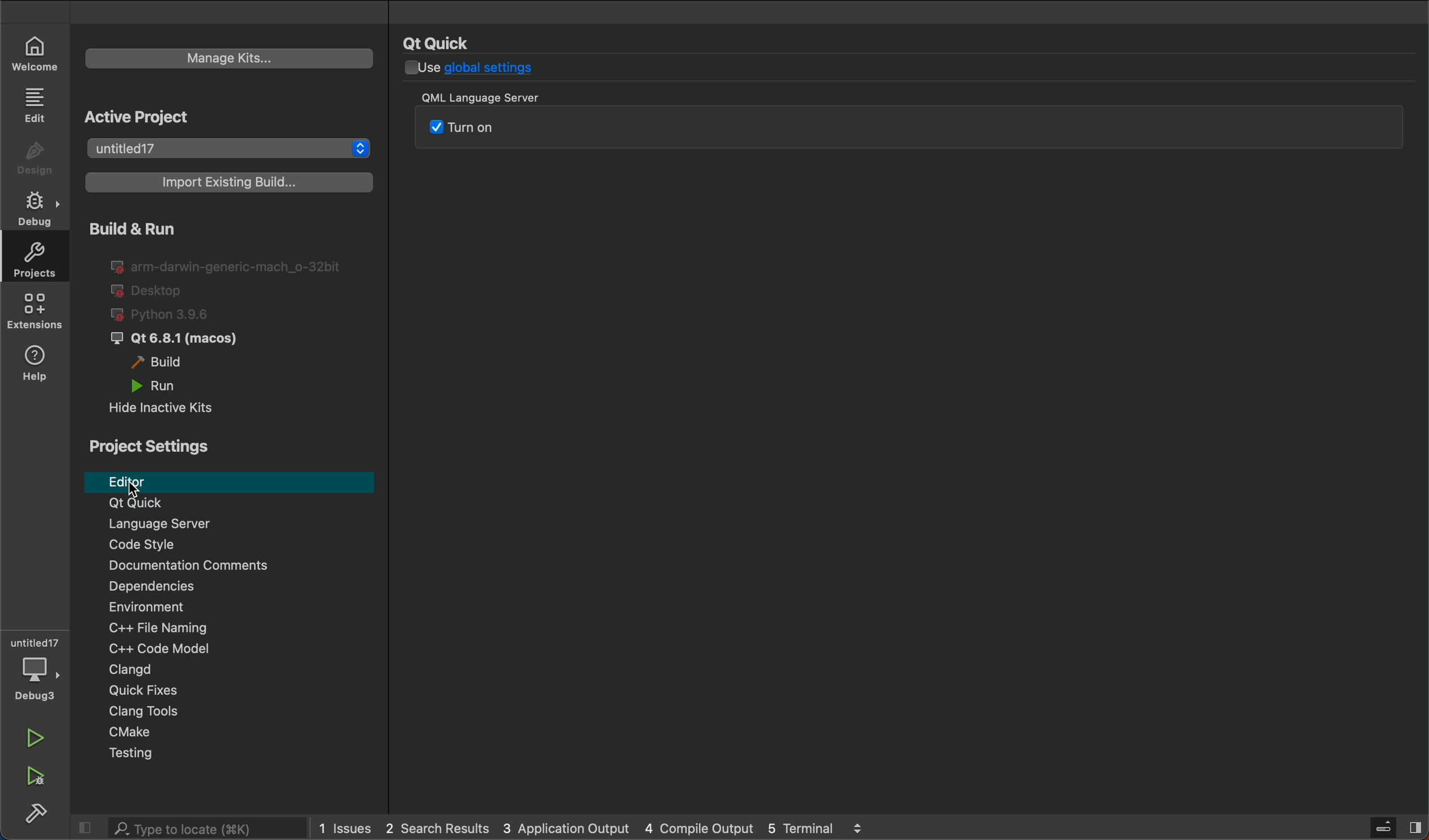 This screenshot has width=1429, height=840. I want to click on issues, so click(347, 830).